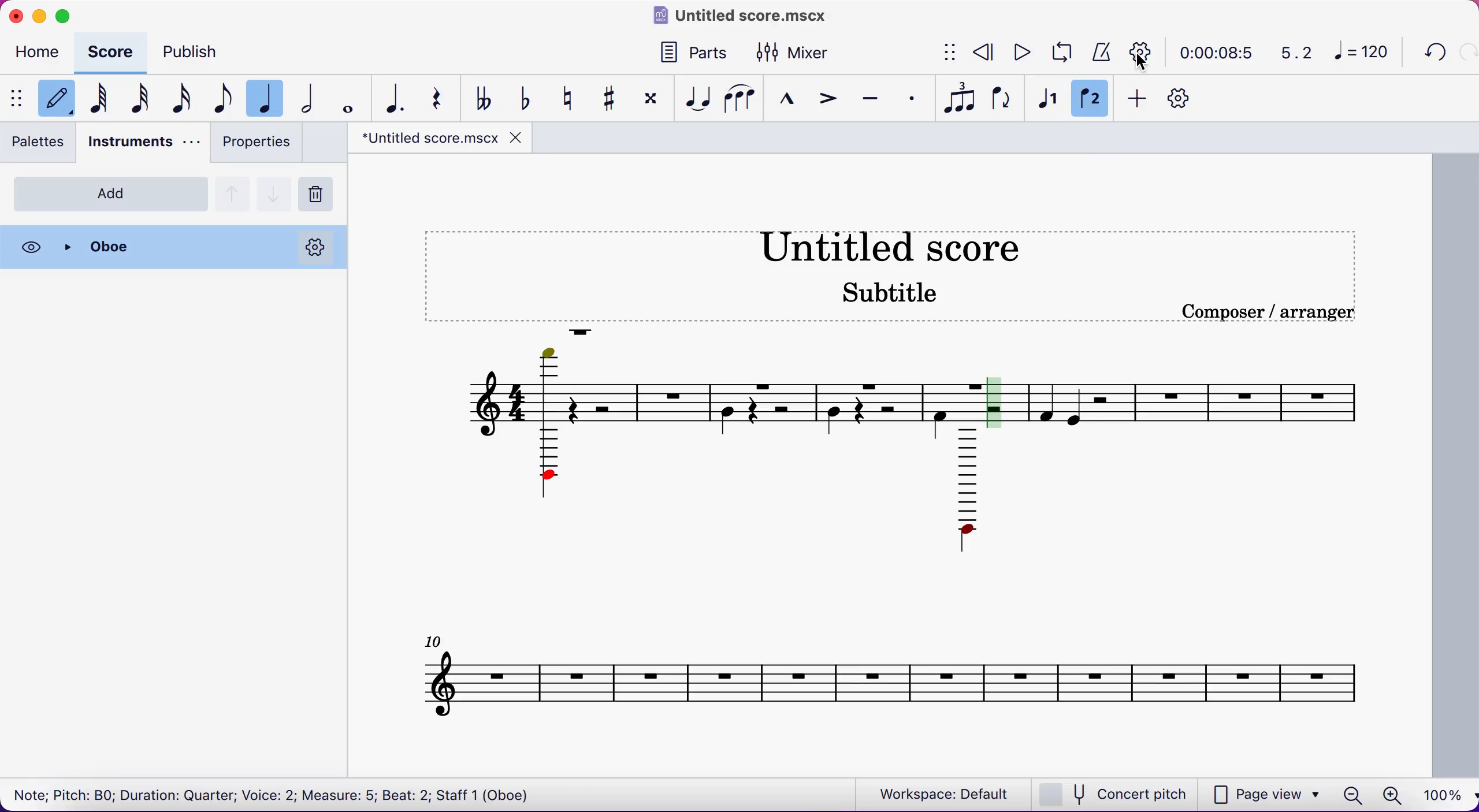  I want to click on 120, so click(1365, 53).